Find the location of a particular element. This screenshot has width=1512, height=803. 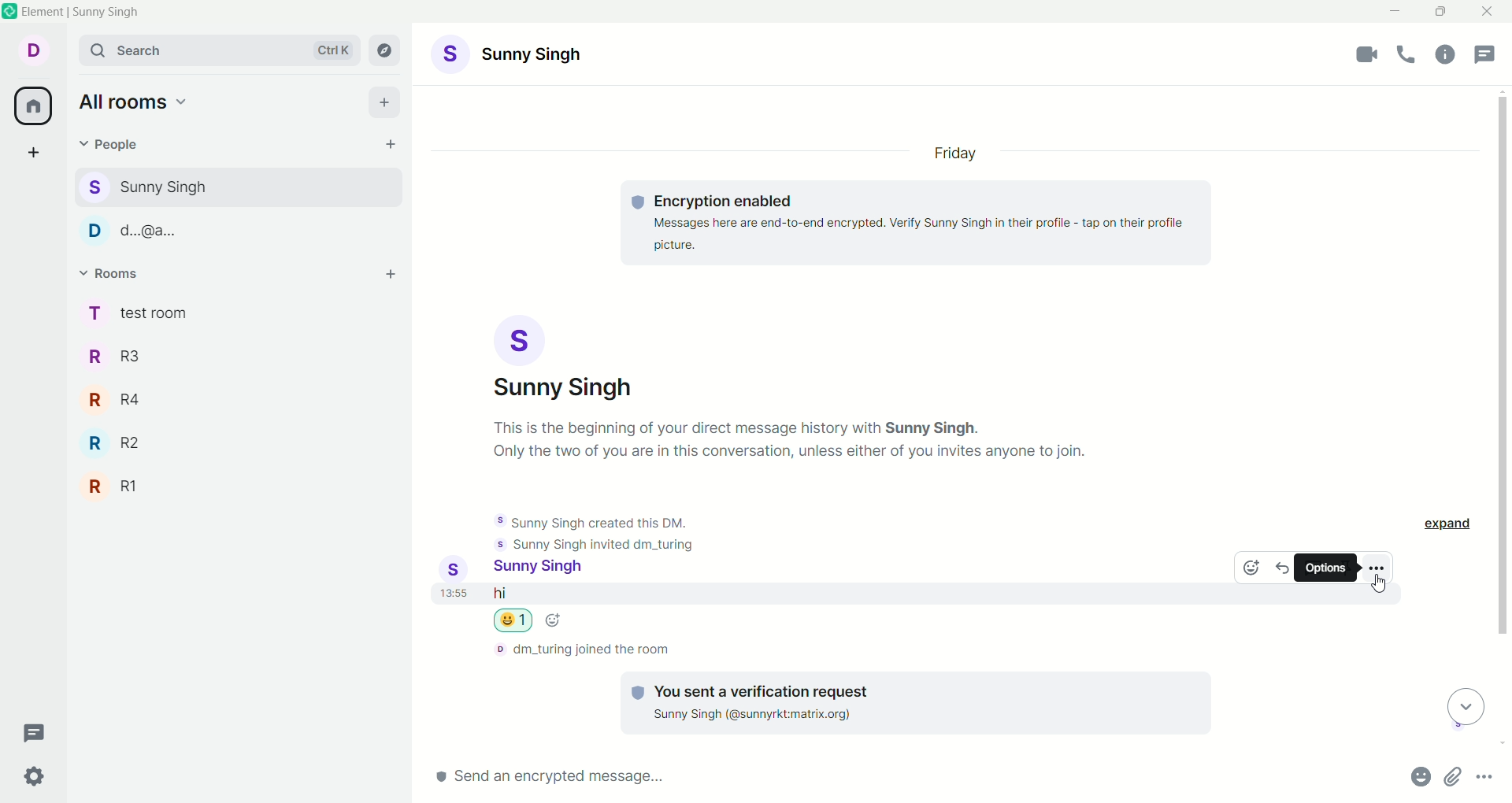

rooms is located at coordinates (112, 276).